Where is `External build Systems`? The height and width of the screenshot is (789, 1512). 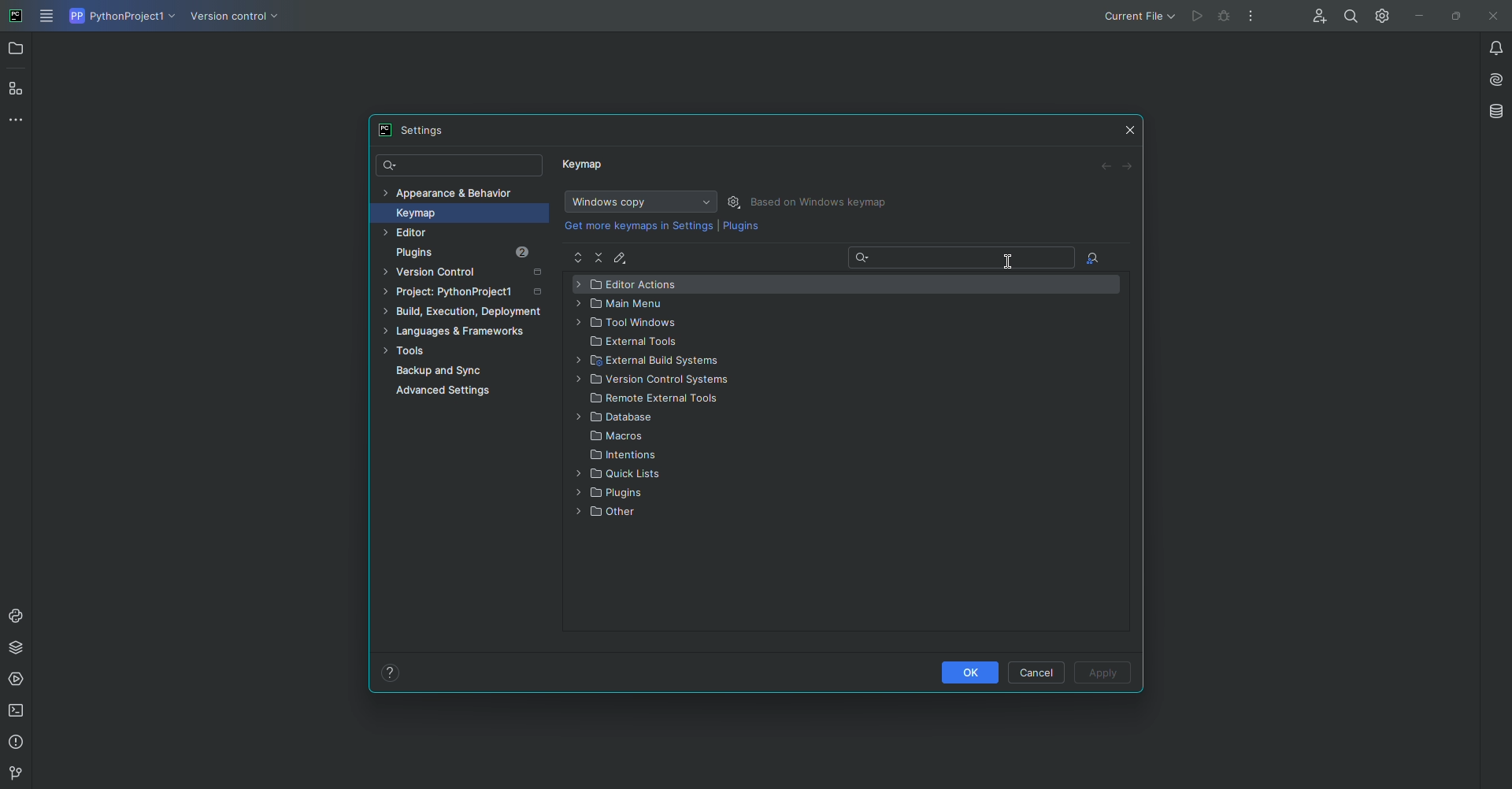
External build Systems is located at coordinates (661, 362).